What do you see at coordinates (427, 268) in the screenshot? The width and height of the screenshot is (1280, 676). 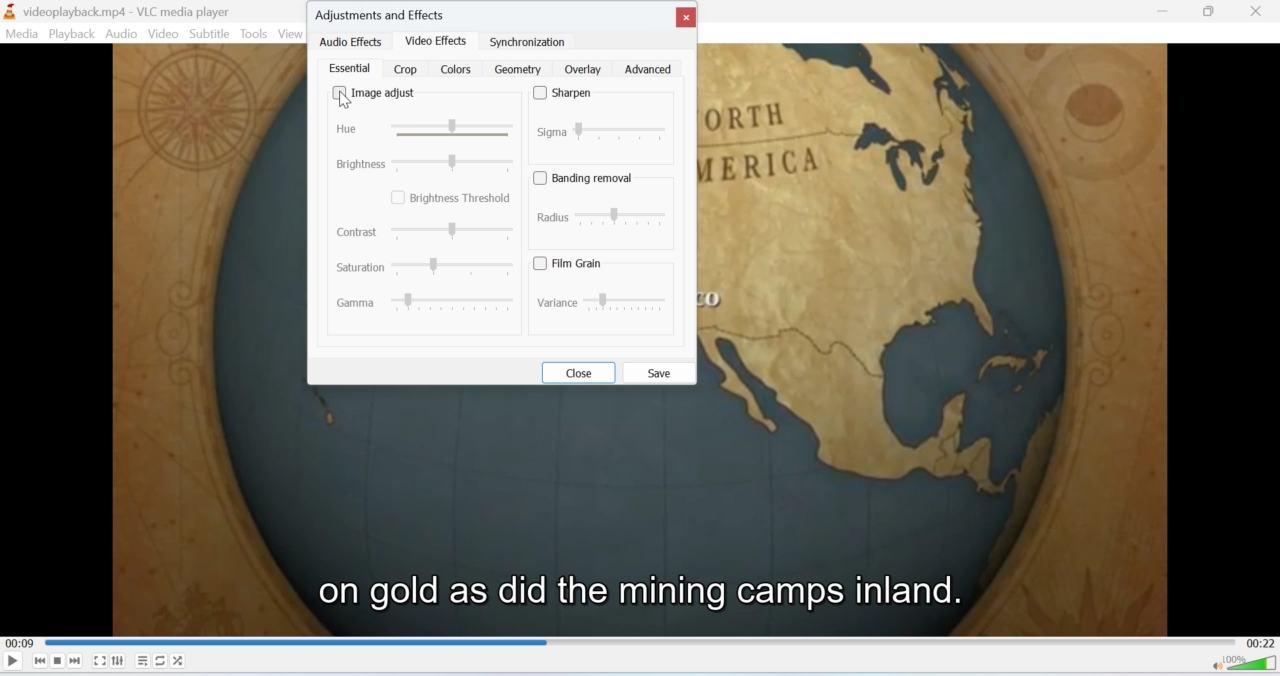 I see `Saturation` at bounding box center [427, 268].